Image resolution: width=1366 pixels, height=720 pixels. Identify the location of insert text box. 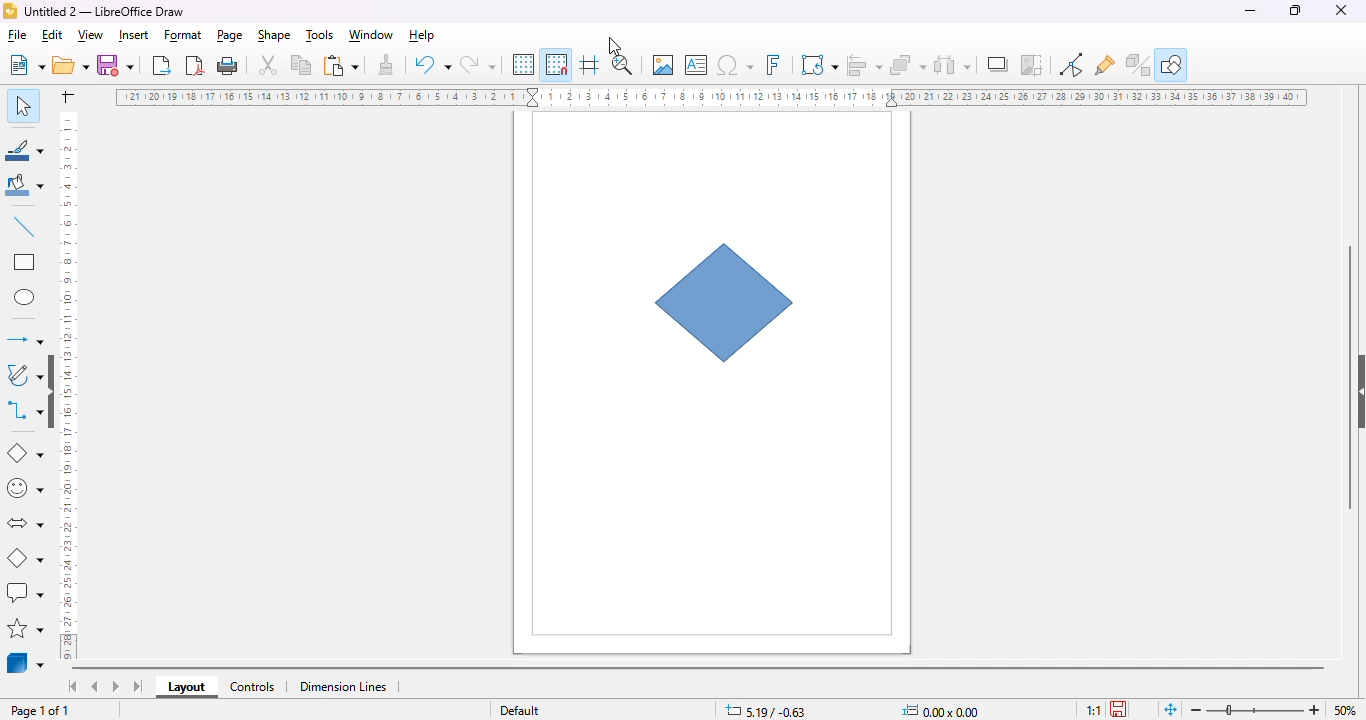
(696, 65).